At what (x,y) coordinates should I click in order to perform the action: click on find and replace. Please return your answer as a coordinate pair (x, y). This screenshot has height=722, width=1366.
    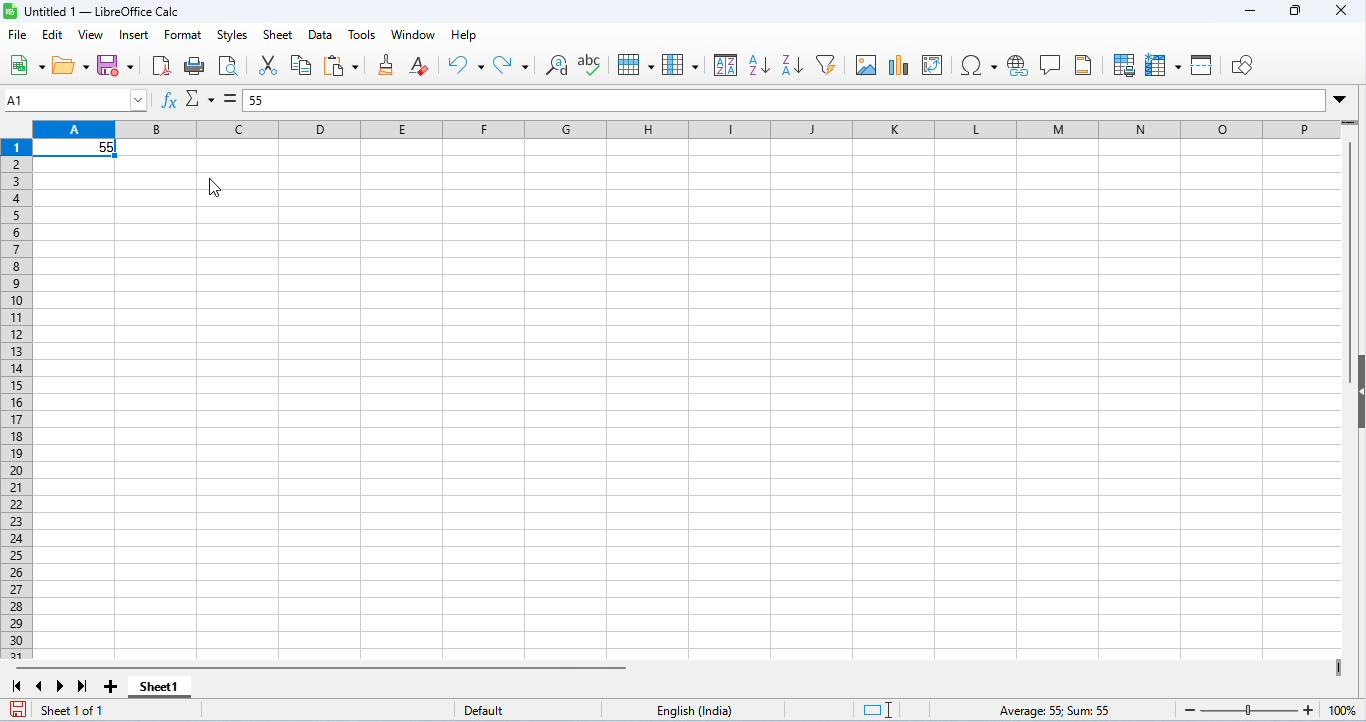
    Looking at the image, I should click on (558, 68).